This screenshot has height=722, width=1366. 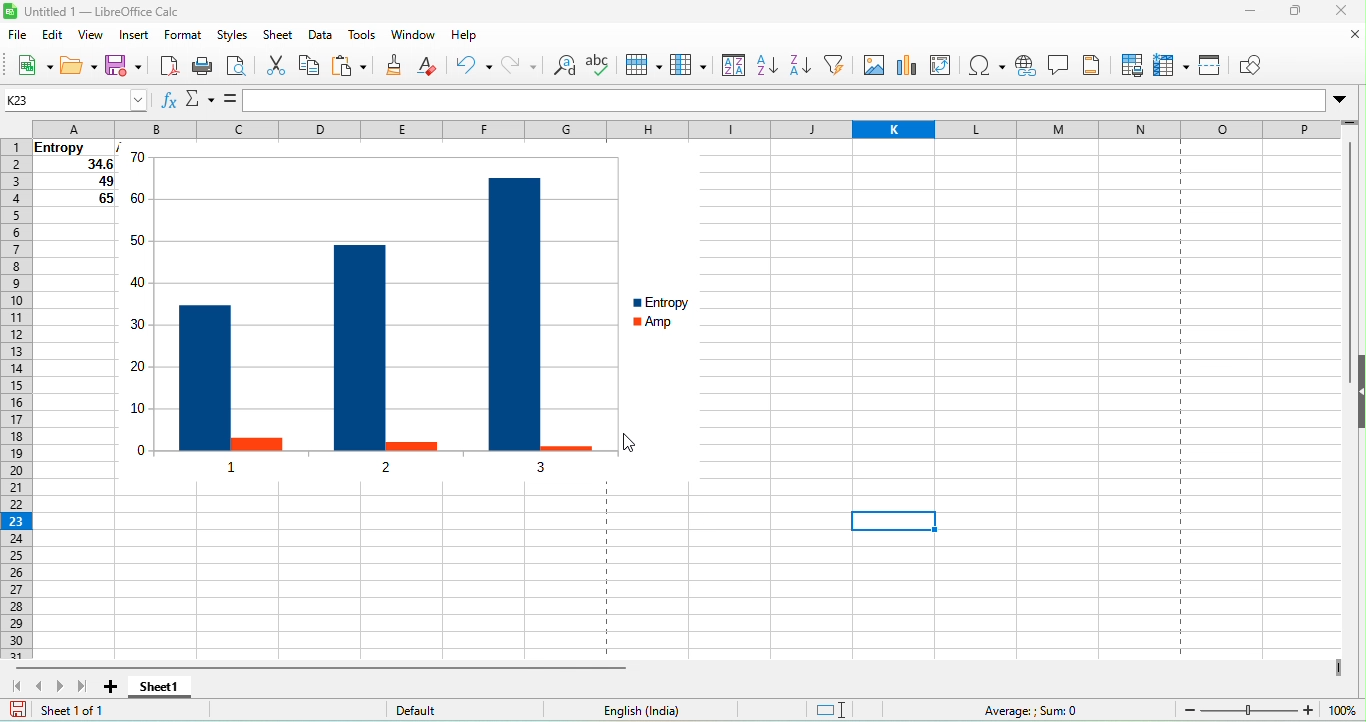 I want to click on untitled 1- libre office cala, so click(x=96, y=13).